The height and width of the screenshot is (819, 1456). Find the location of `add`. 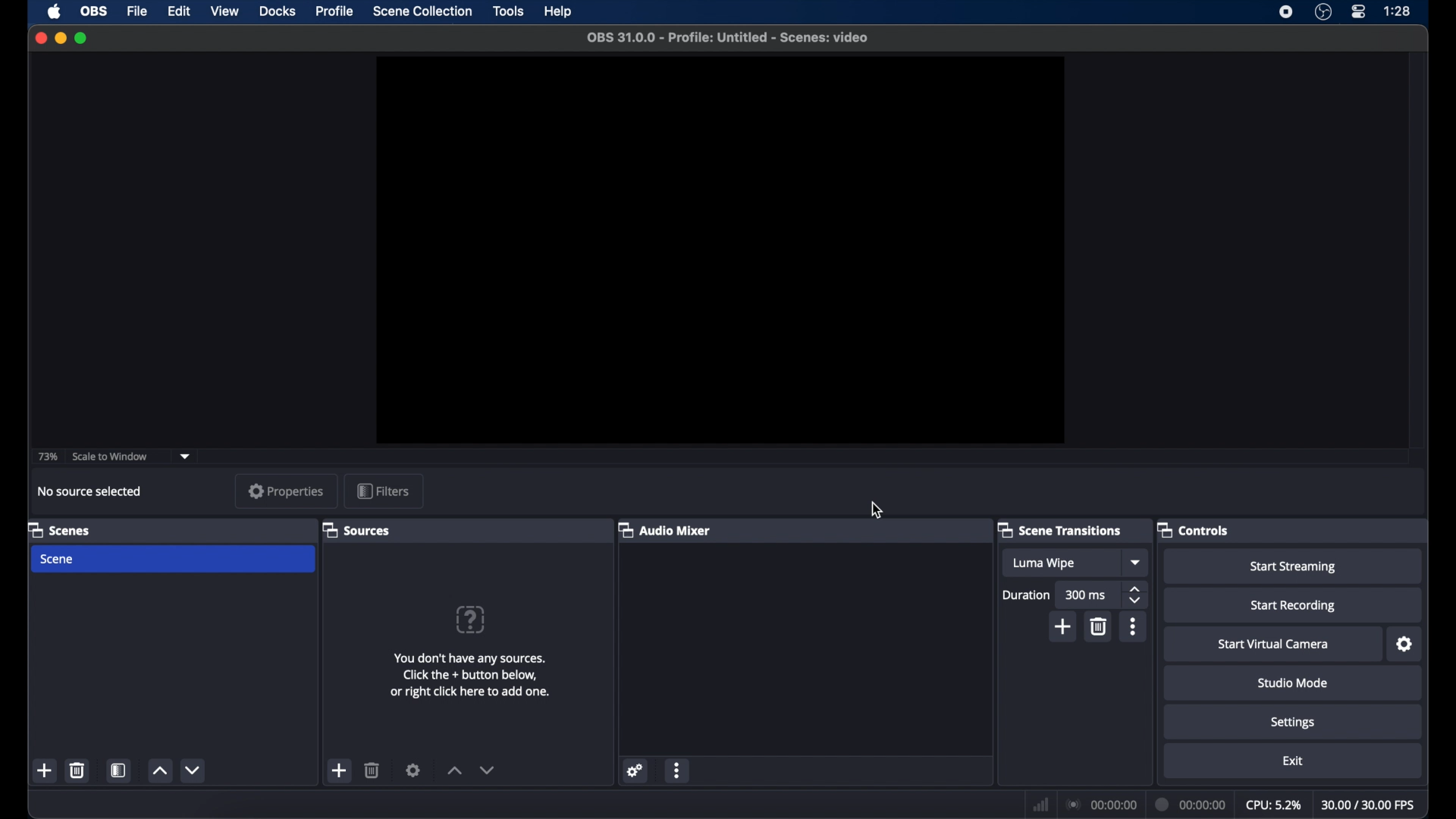

add is located at coordinates (45, 771).